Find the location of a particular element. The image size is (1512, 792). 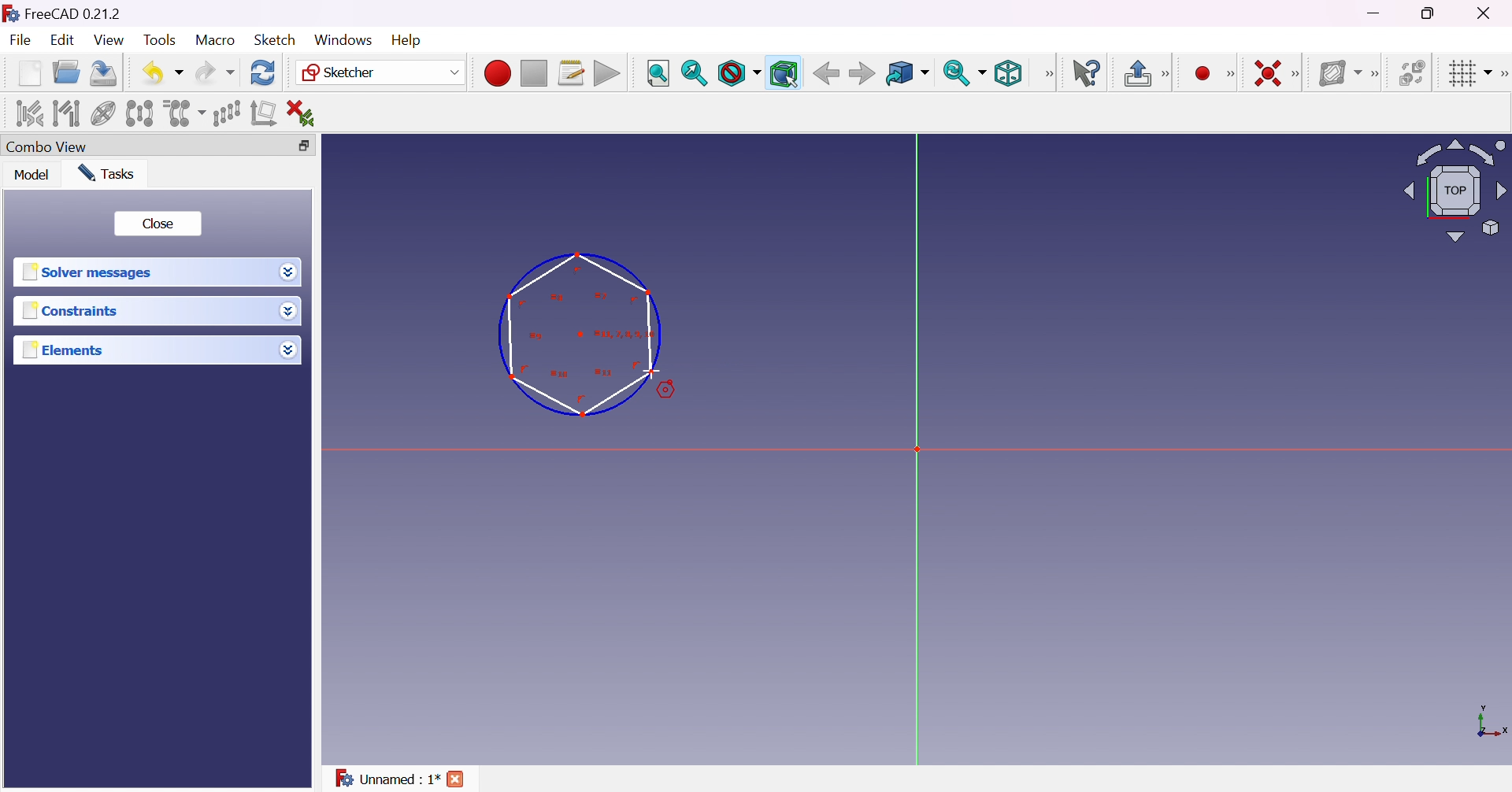

Macros... is located at coordinates (571, 73).